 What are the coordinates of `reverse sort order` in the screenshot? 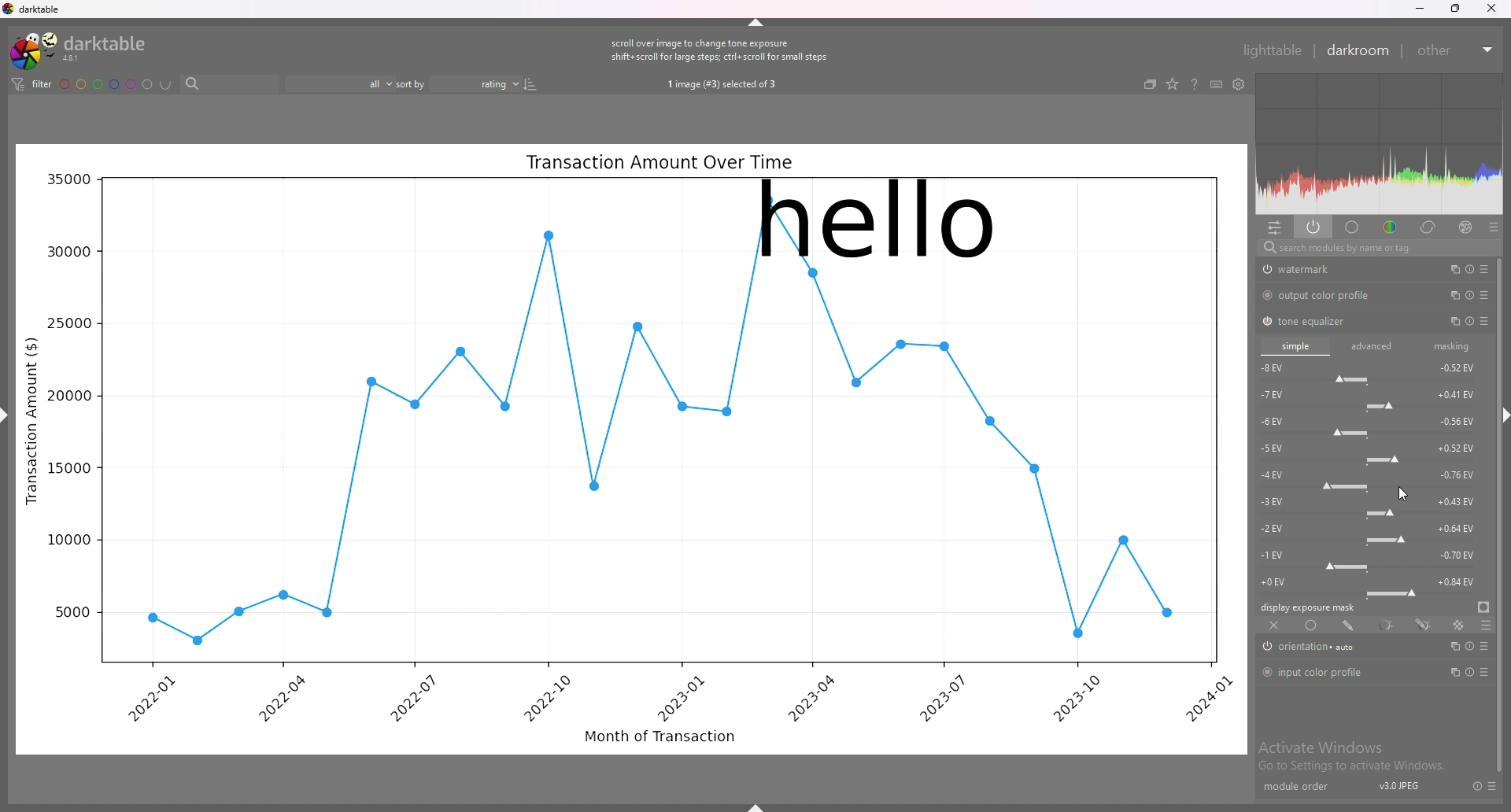 It's located at (531, 84).